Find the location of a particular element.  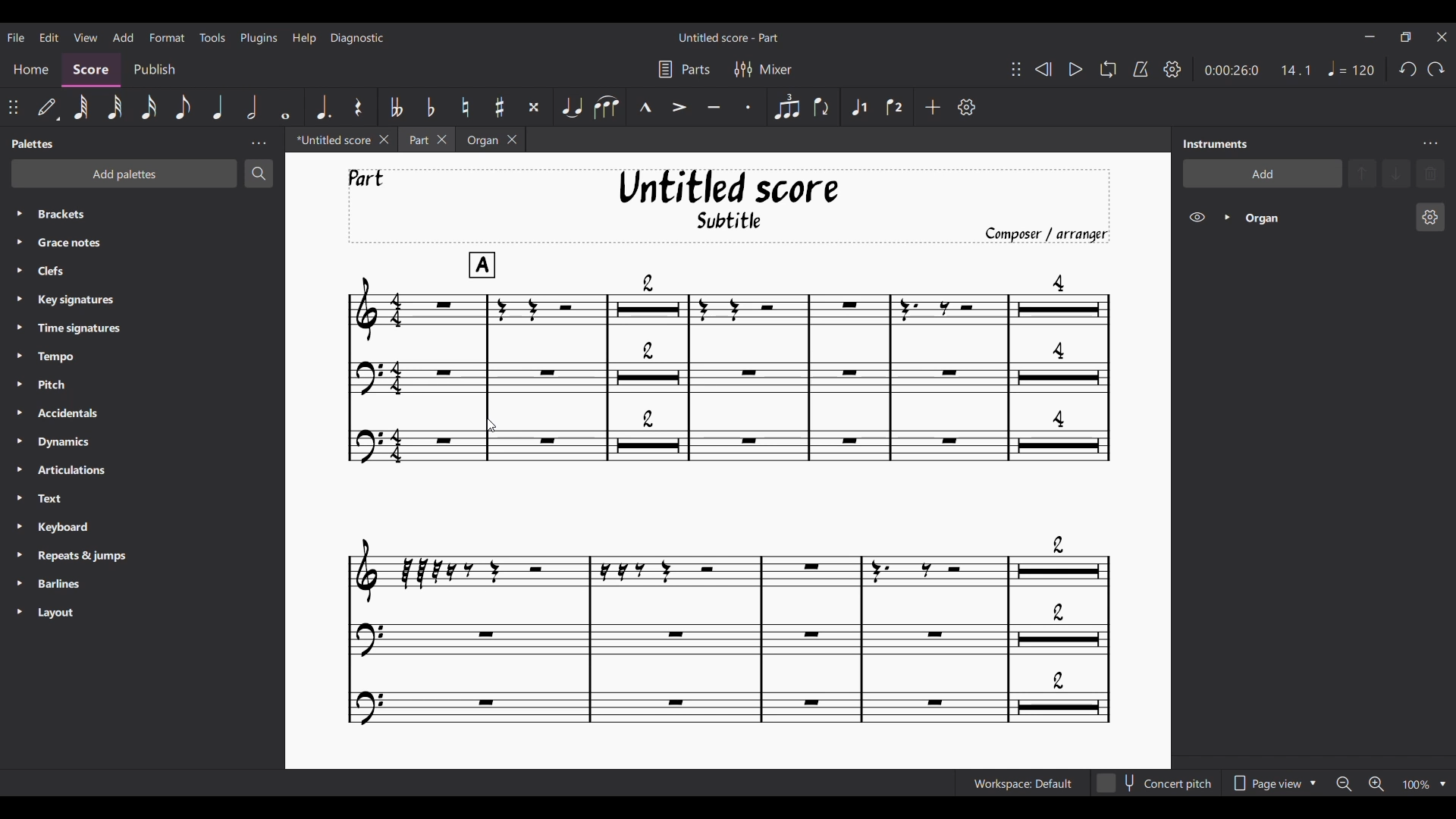

Voice 1 is located at coordinates (858, 106).